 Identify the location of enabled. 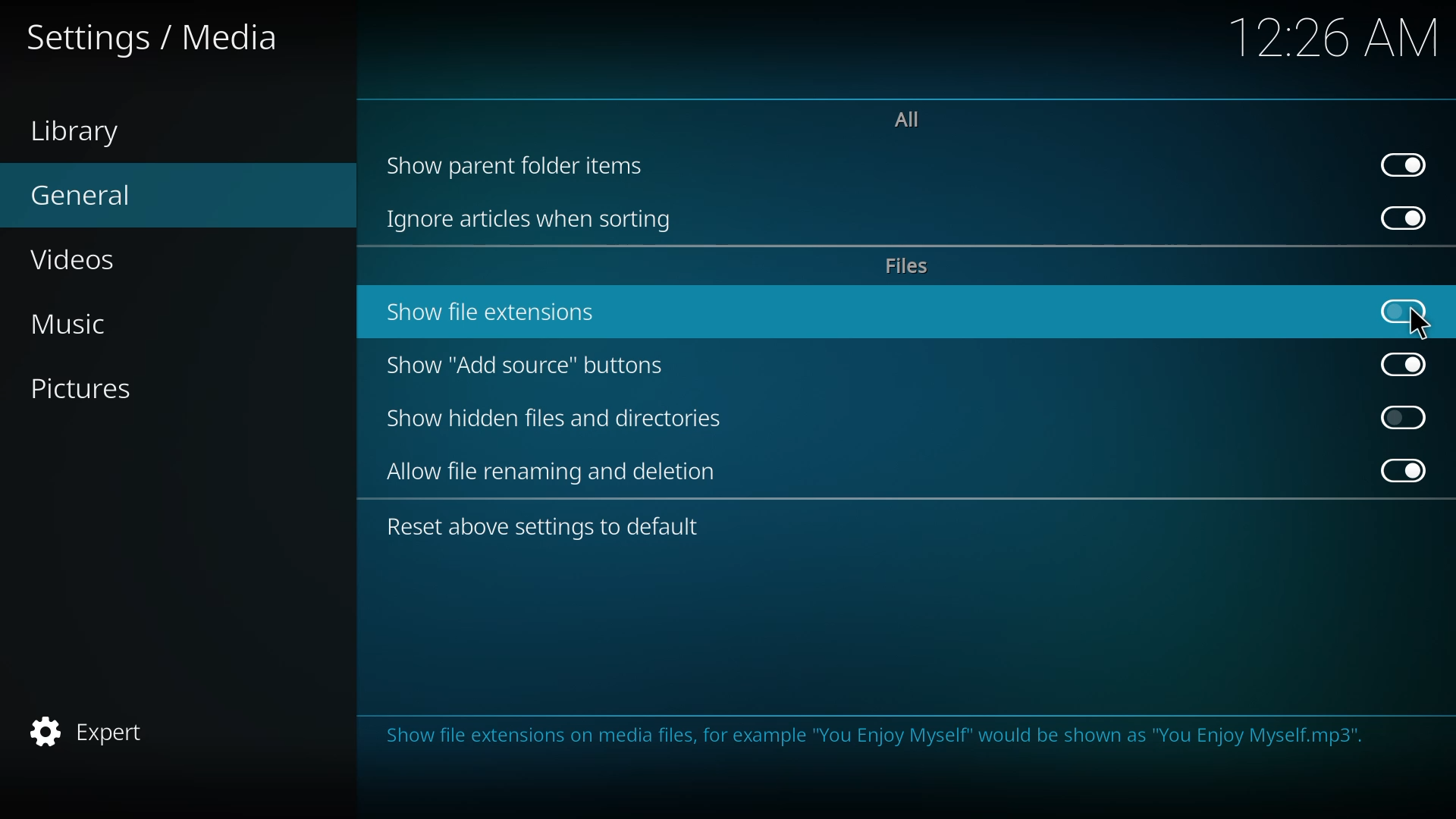
(1407, 218).